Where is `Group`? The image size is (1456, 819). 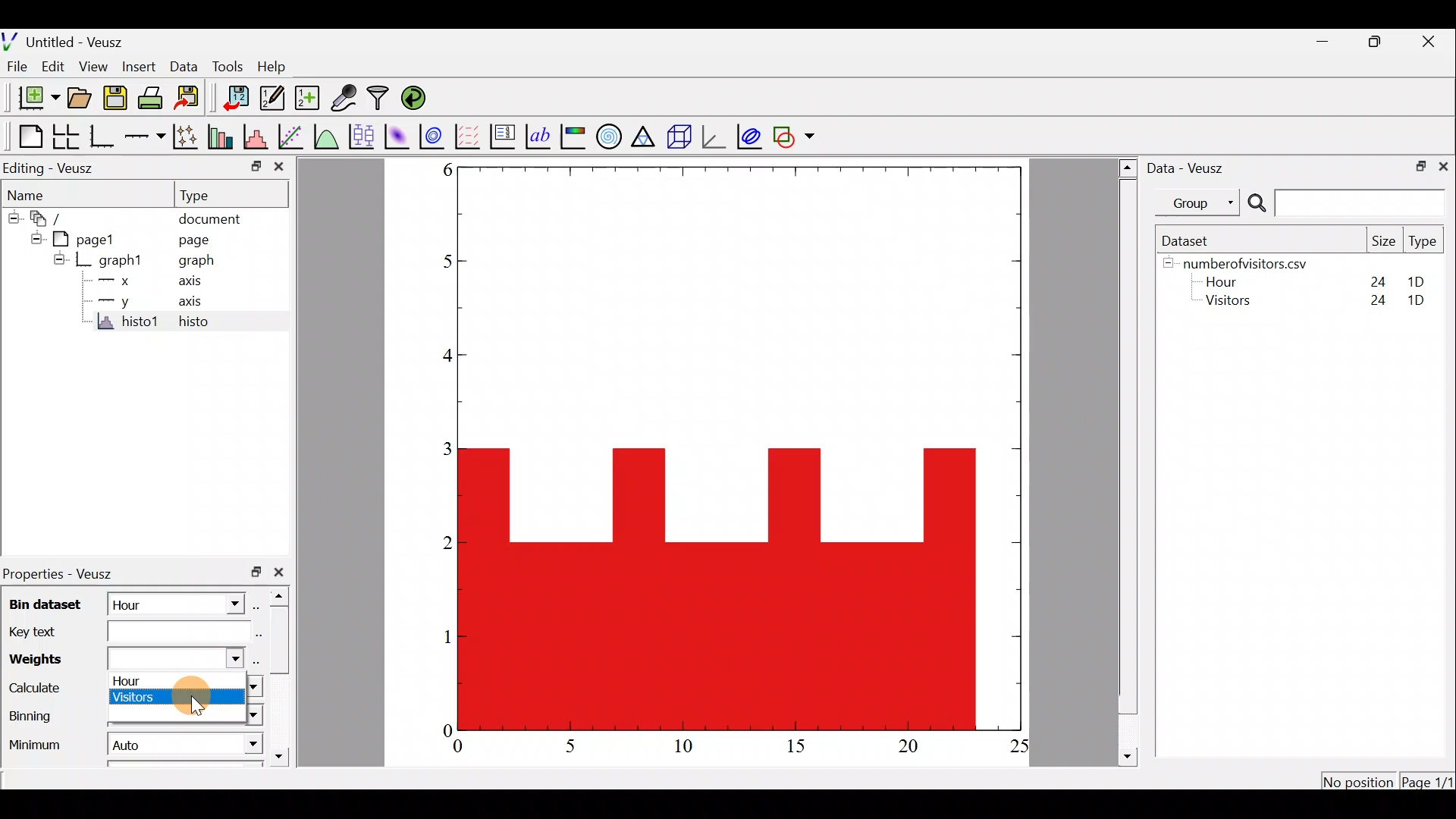 Group is located at coordinates (1198, 205).